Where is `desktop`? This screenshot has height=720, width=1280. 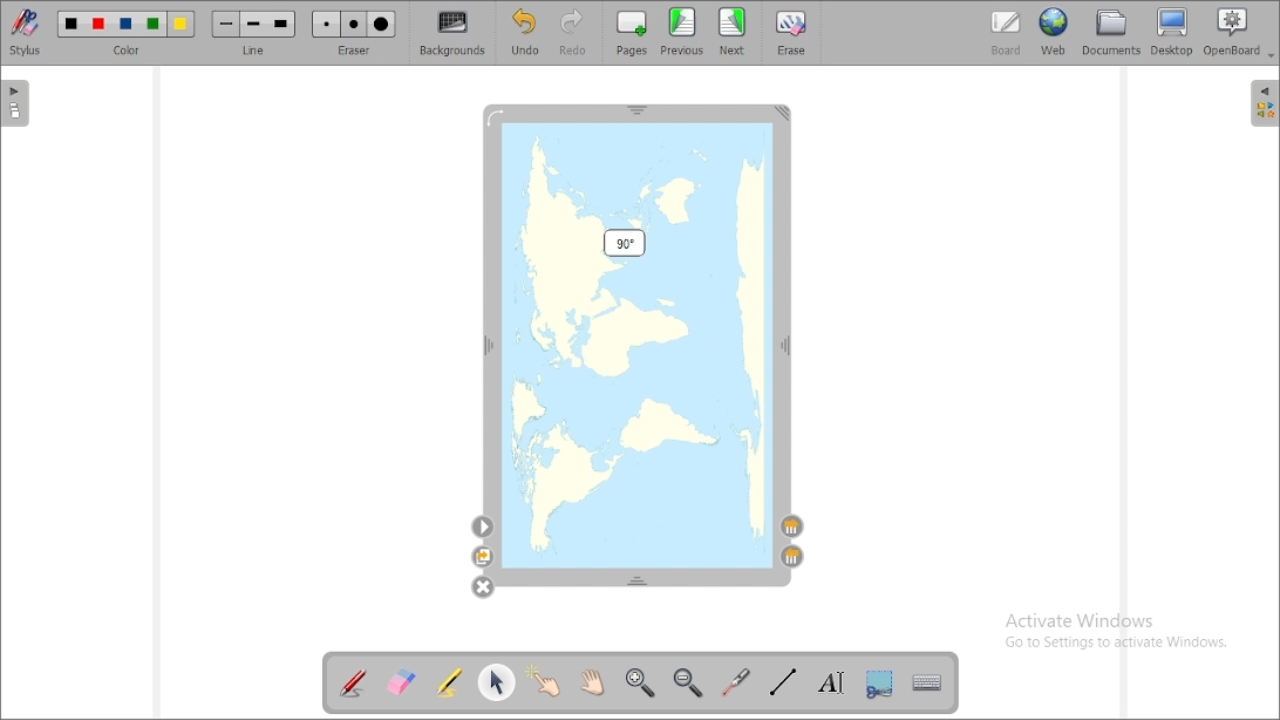 desktop is located at coordinates (1172, 31).